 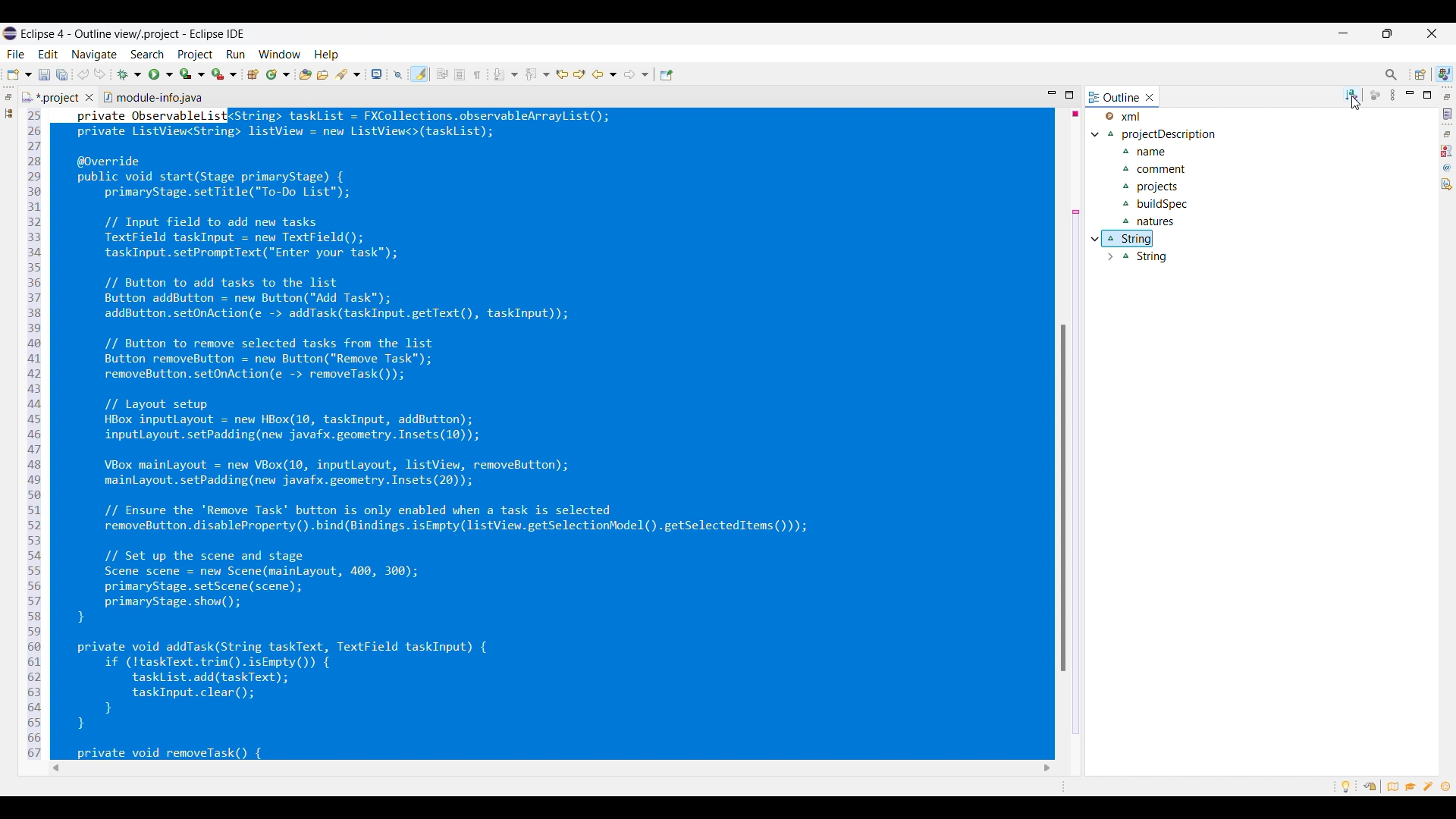 What do you see at coordinates (1352, 95) in the screenshot?
I see `Sort` at bounding box center [1352, 95].